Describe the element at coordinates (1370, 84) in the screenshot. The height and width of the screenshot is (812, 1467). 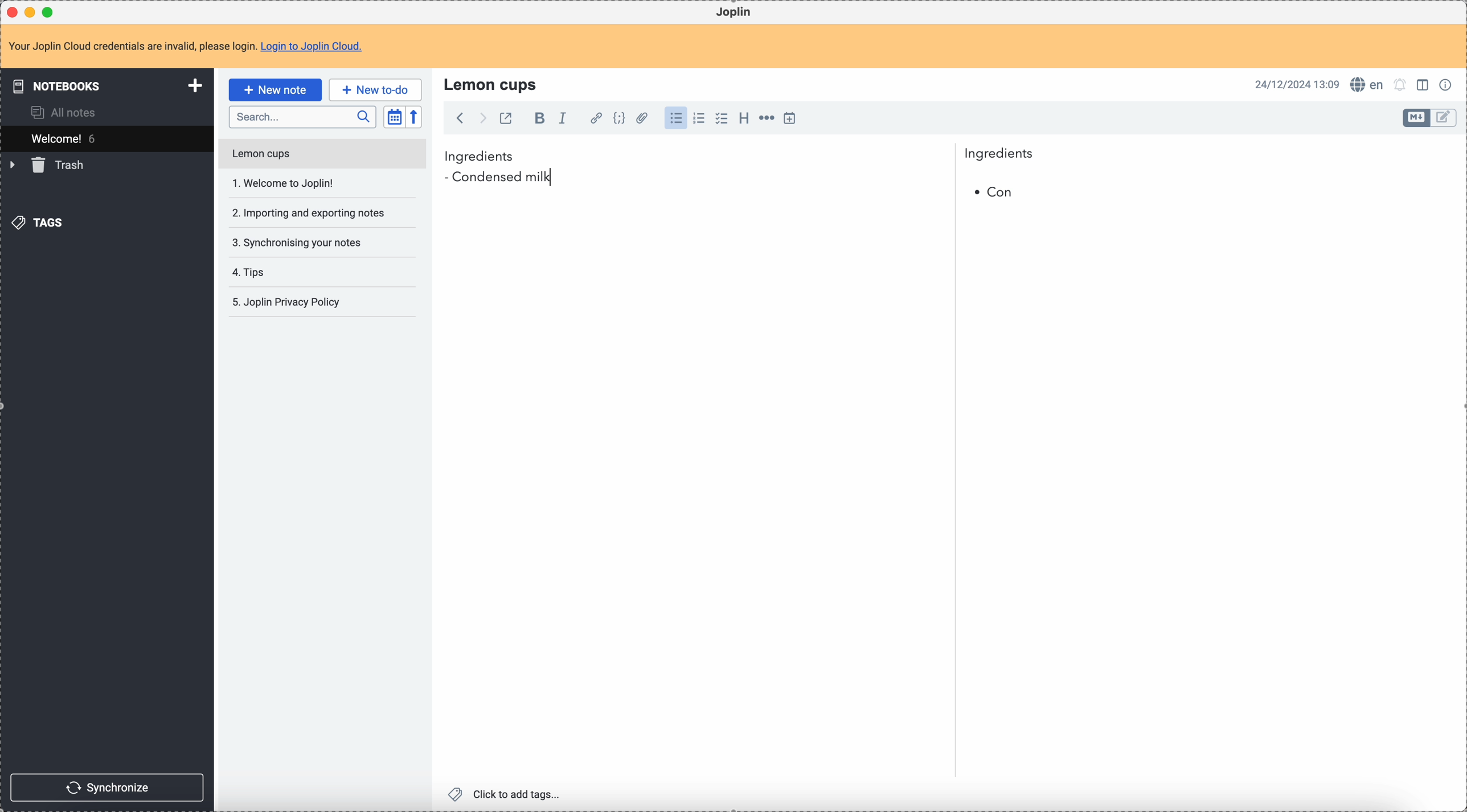
I see `spell checker` at that location.